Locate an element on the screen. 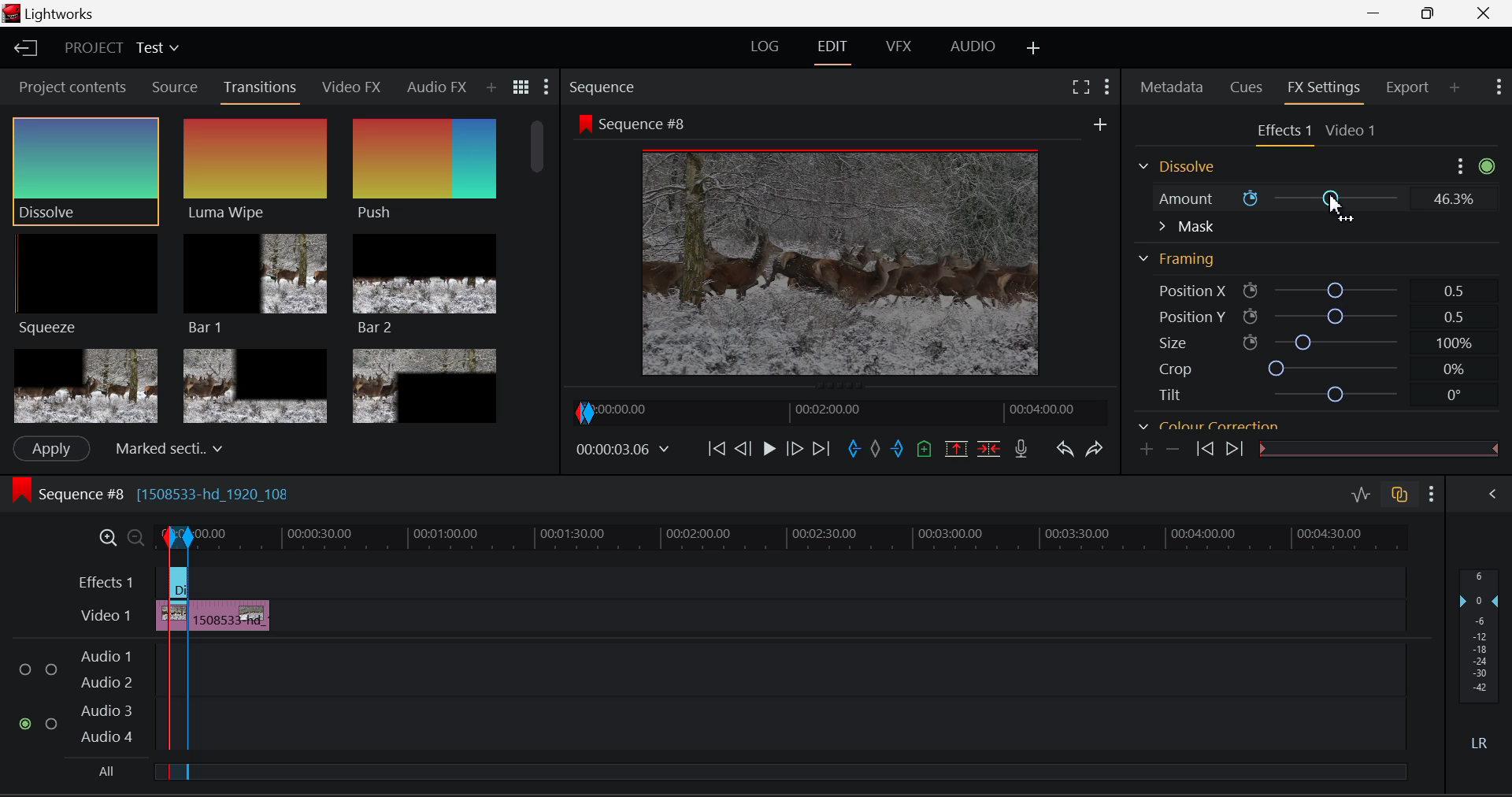 This screenshot has height=797, width=1512. Undo is located at coordinates (1066, 451).